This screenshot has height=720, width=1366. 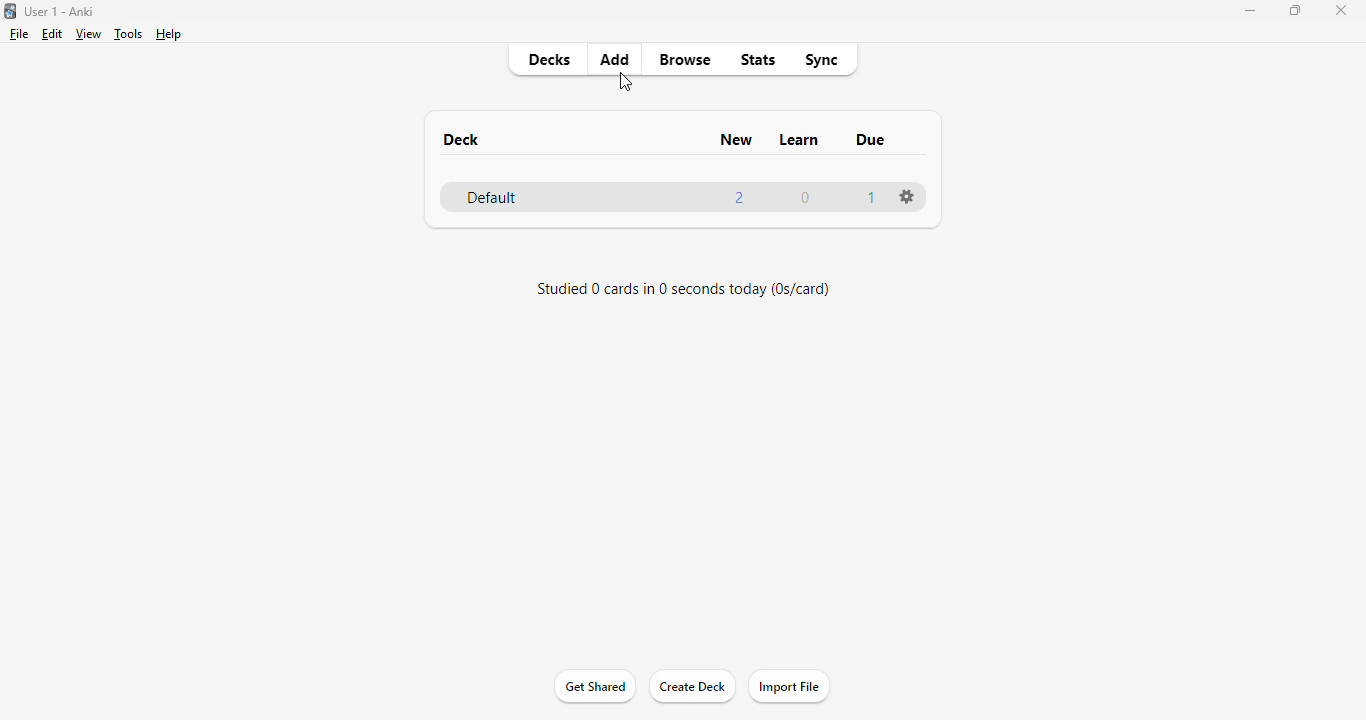 I want to click on view, so click(x=89, y=35).